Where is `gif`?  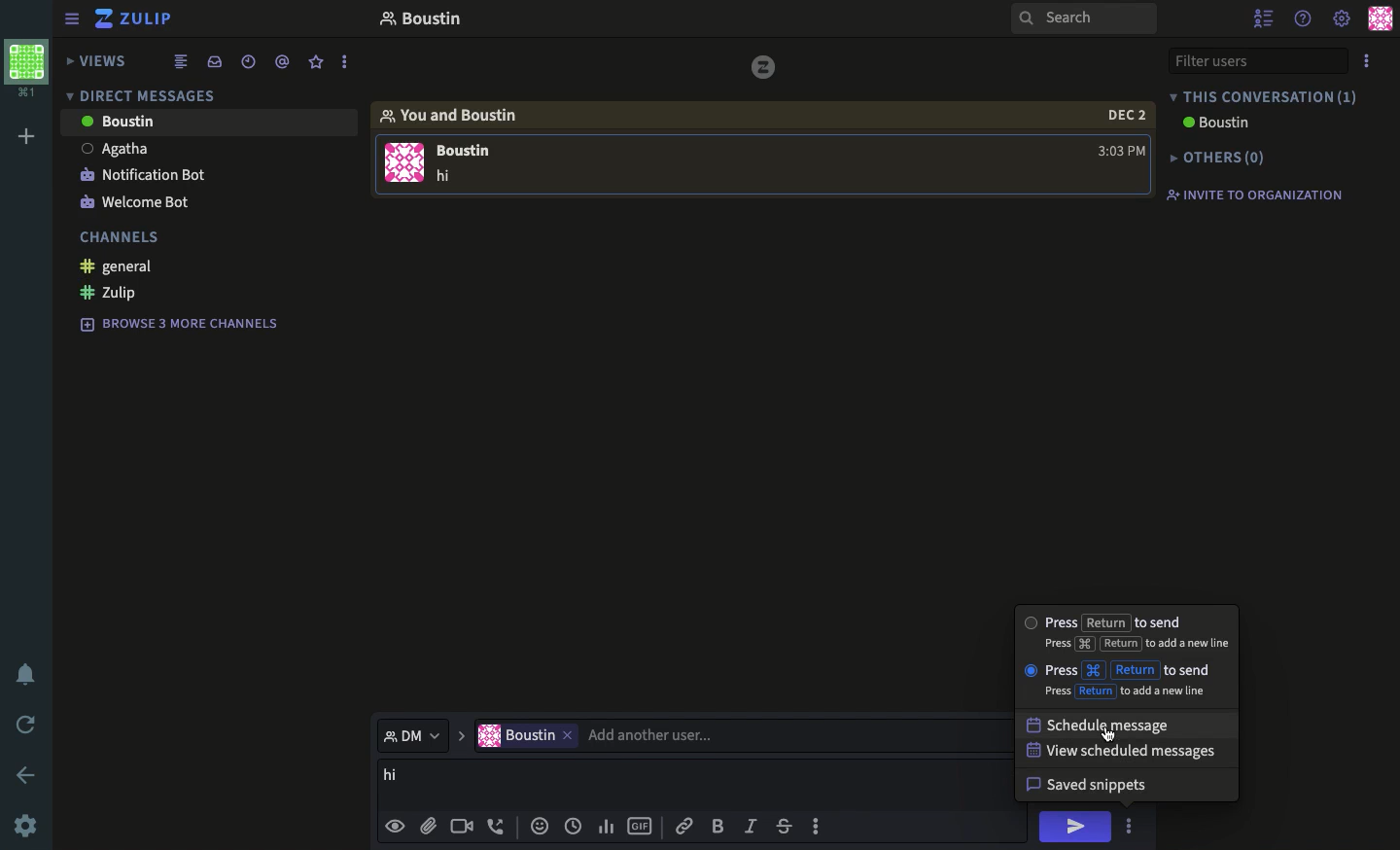 gif is located at coordinates (642, 826).